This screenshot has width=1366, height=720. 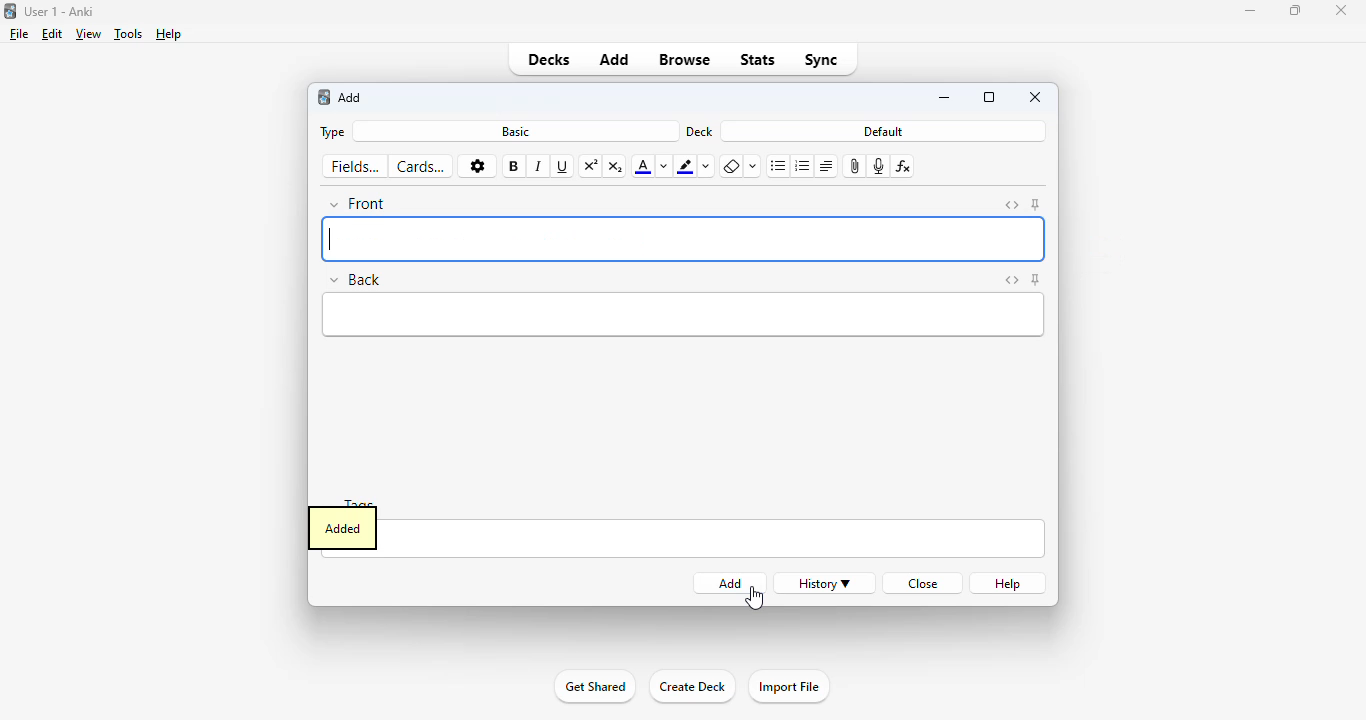 What do you see at coordinates (643, 166) in the screenshot?
I see `text coloe` at bounding box center [643, 166].